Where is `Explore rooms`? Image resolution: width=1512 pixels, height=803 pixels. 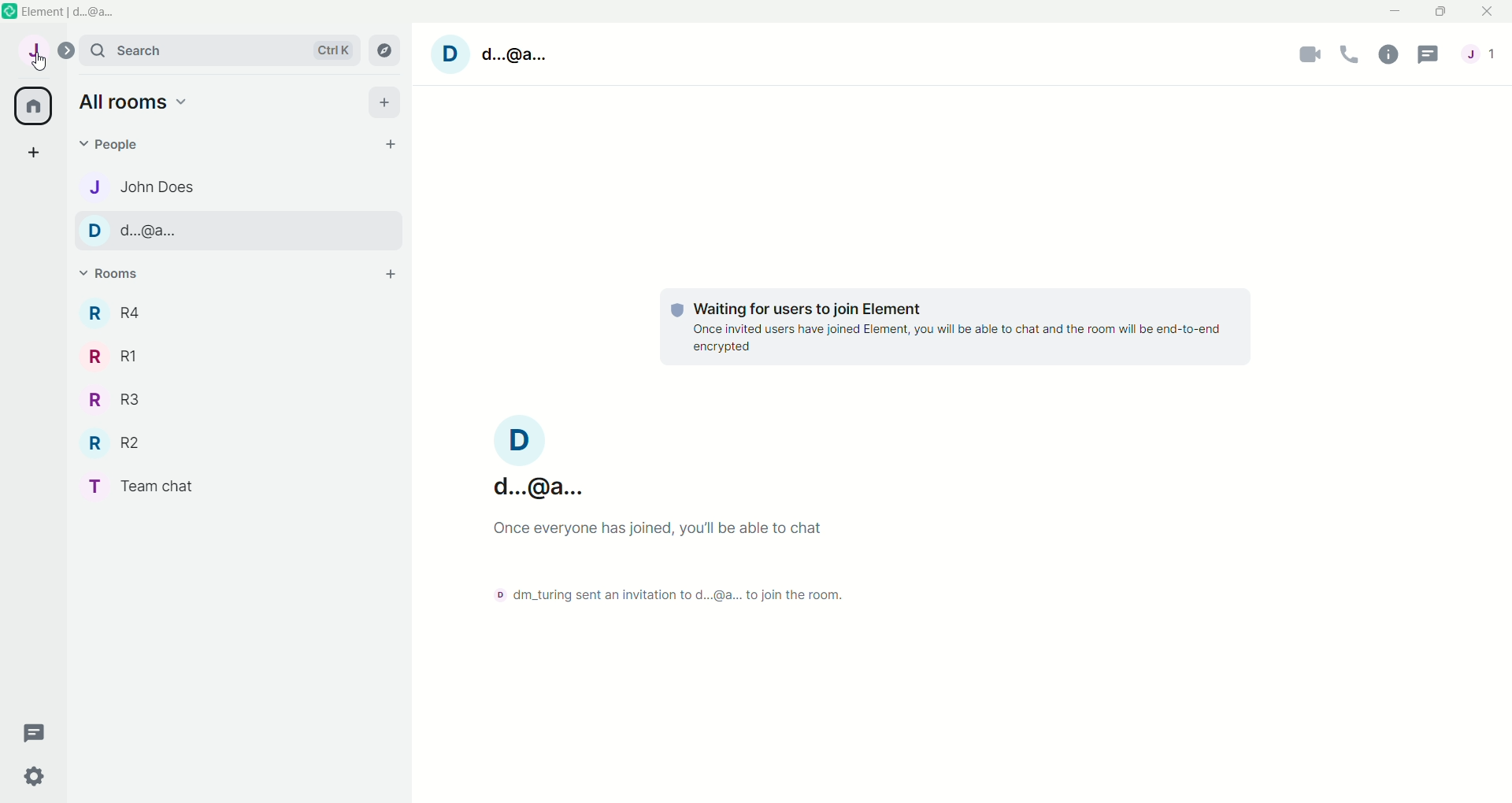
Explore rooms is located at coordinates (384, 50).